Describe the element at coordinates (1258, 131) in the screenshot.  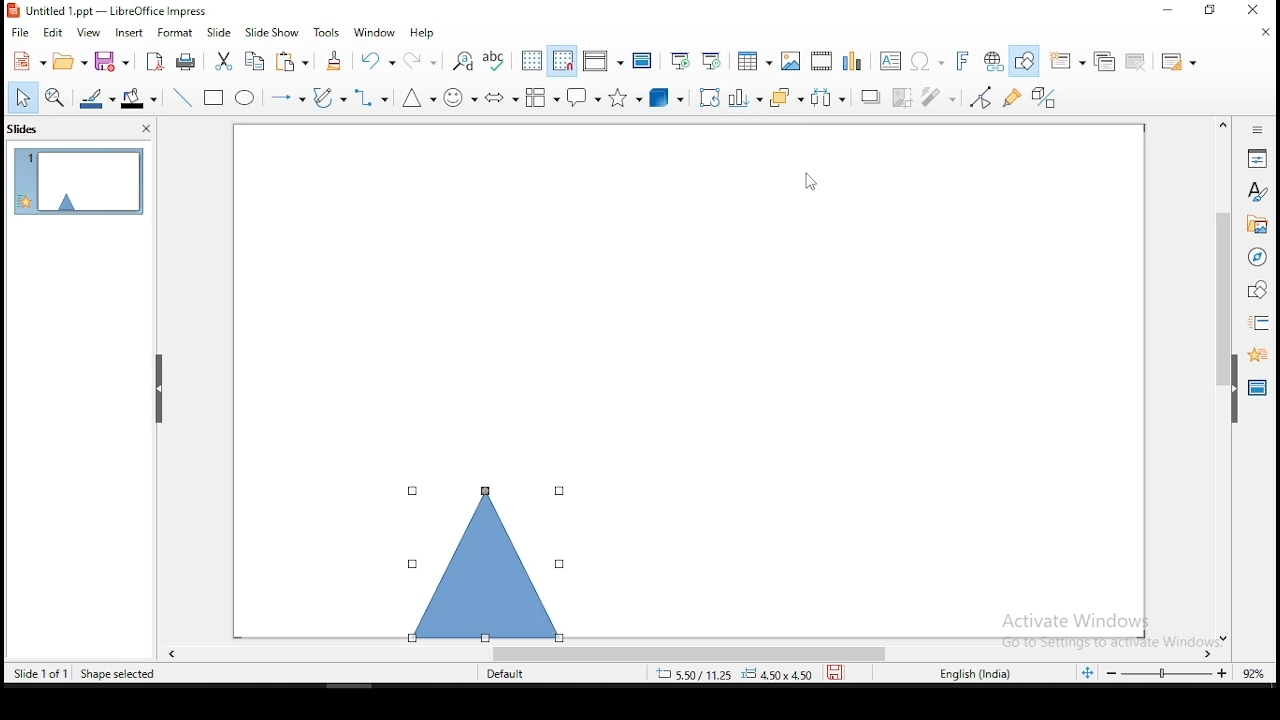
I see `sidebar settings` at that location.